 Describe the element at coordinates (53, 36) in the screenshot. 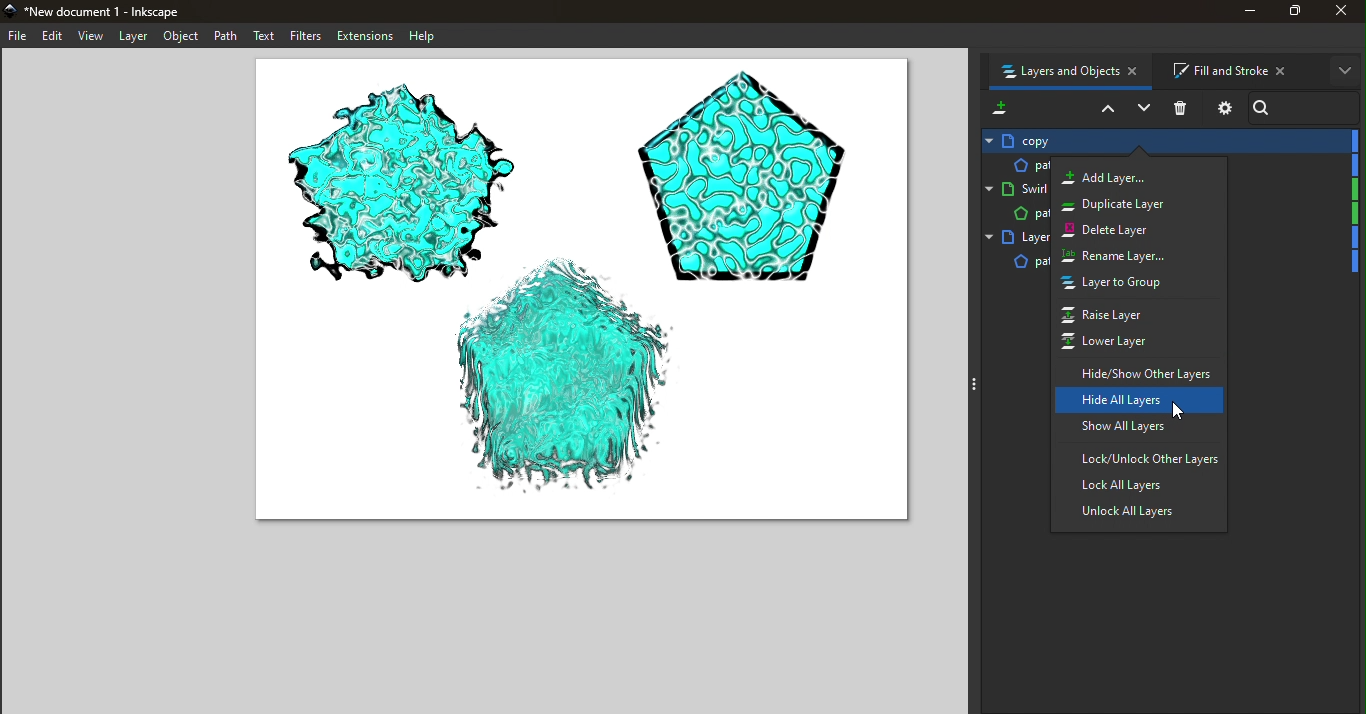

I see `Edit` at that location.